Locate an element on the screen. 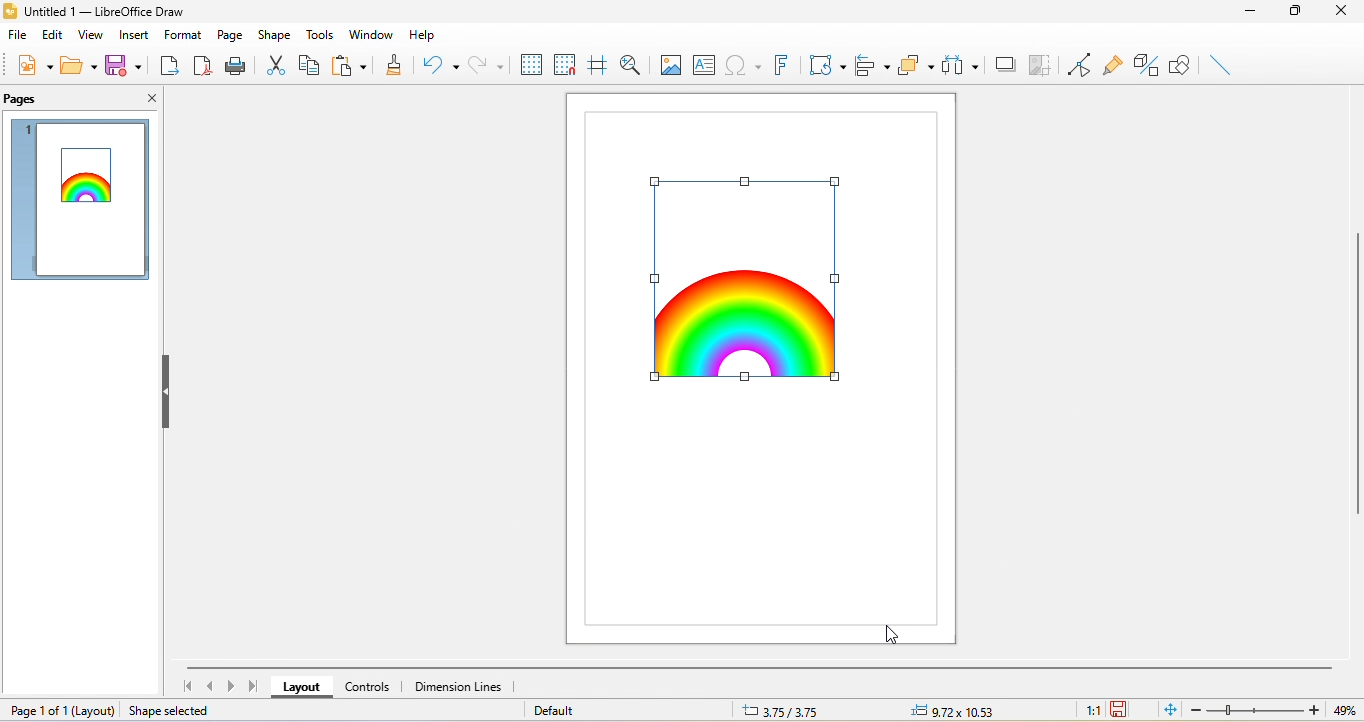 The height and width of the screenshot is (722, 1364). new is located at coordinates (31, 65).